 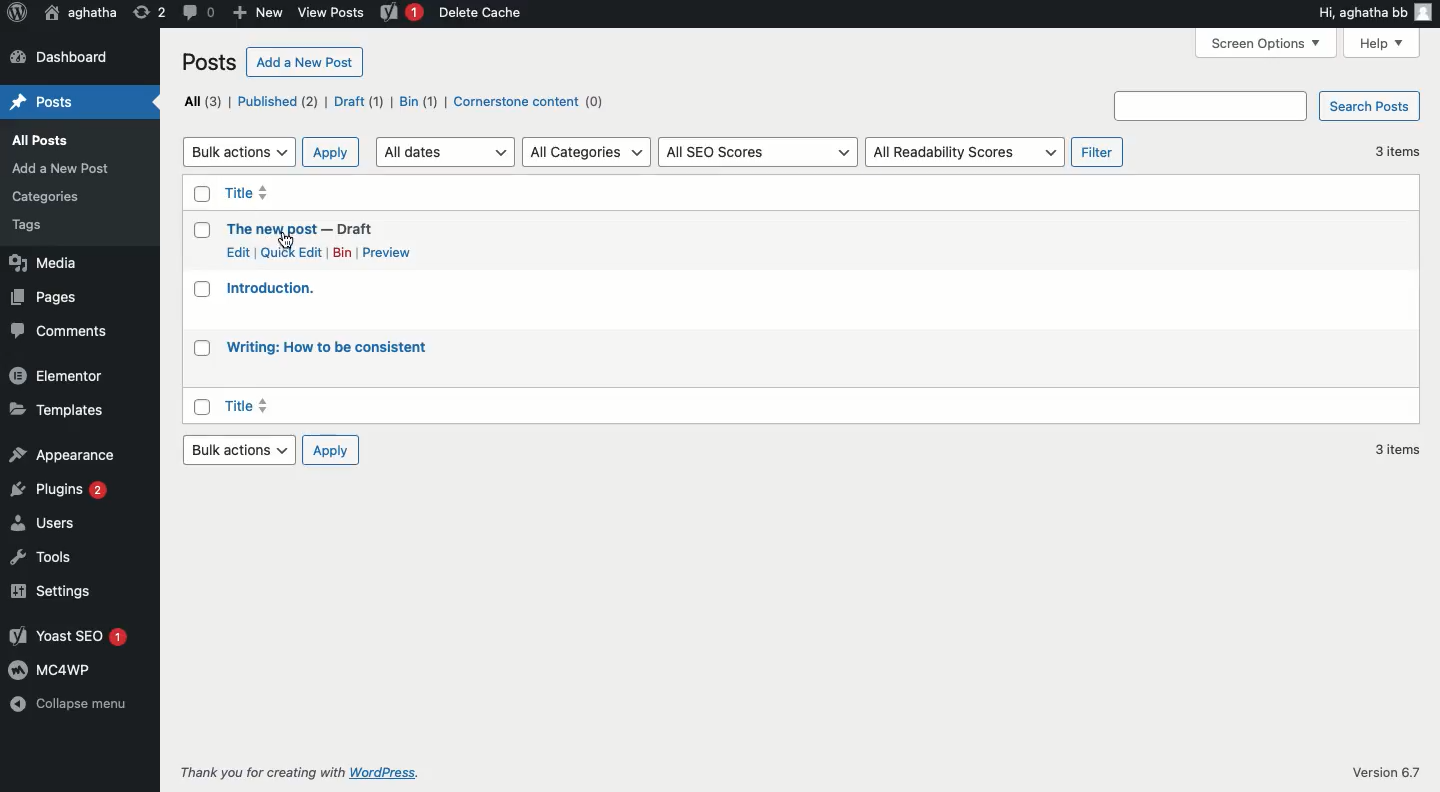 I want to click on Profile, so click(x=1425, y=11).